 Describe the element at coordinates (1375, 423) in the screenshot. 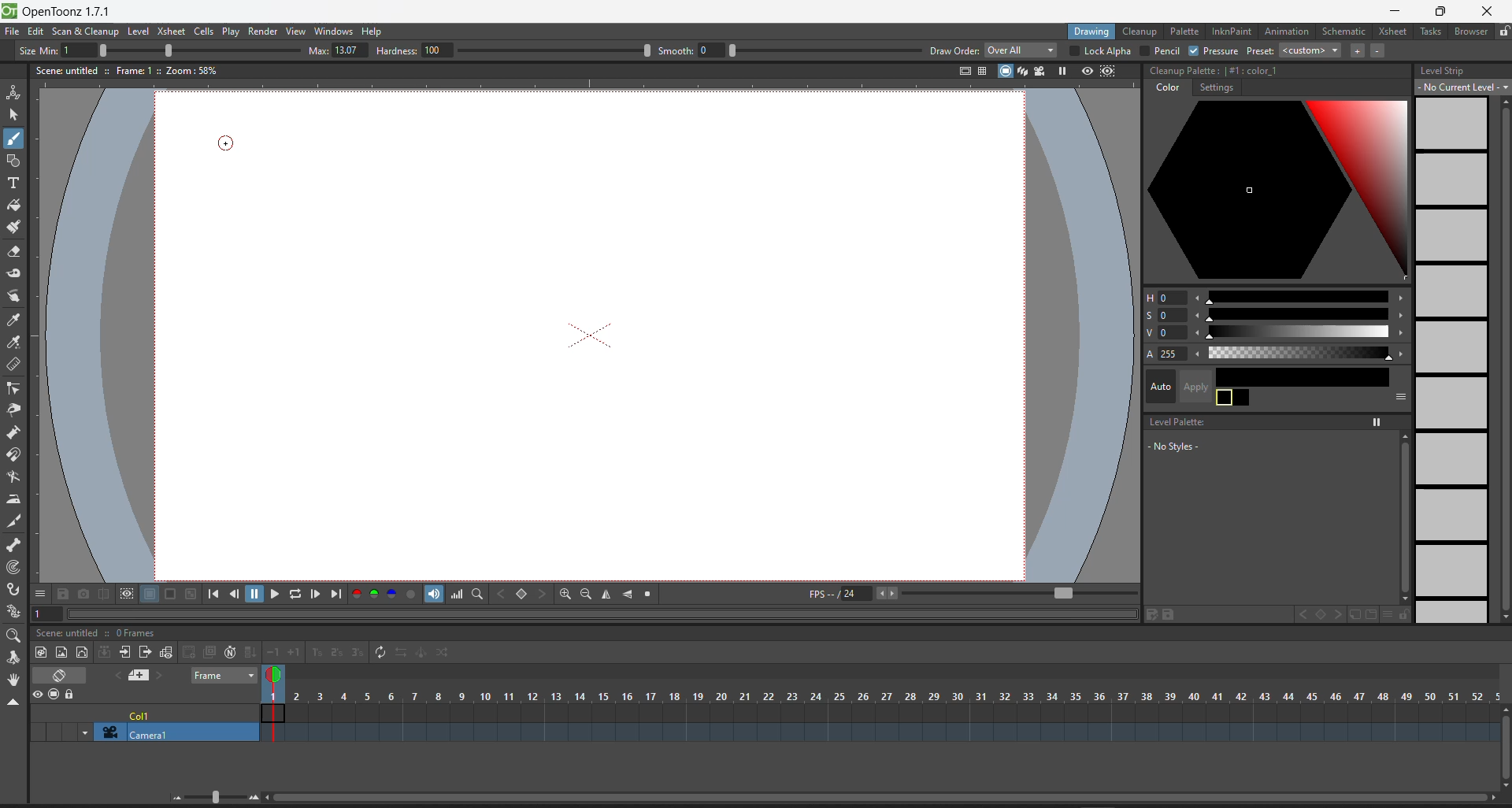

I see `freeze` at that location.